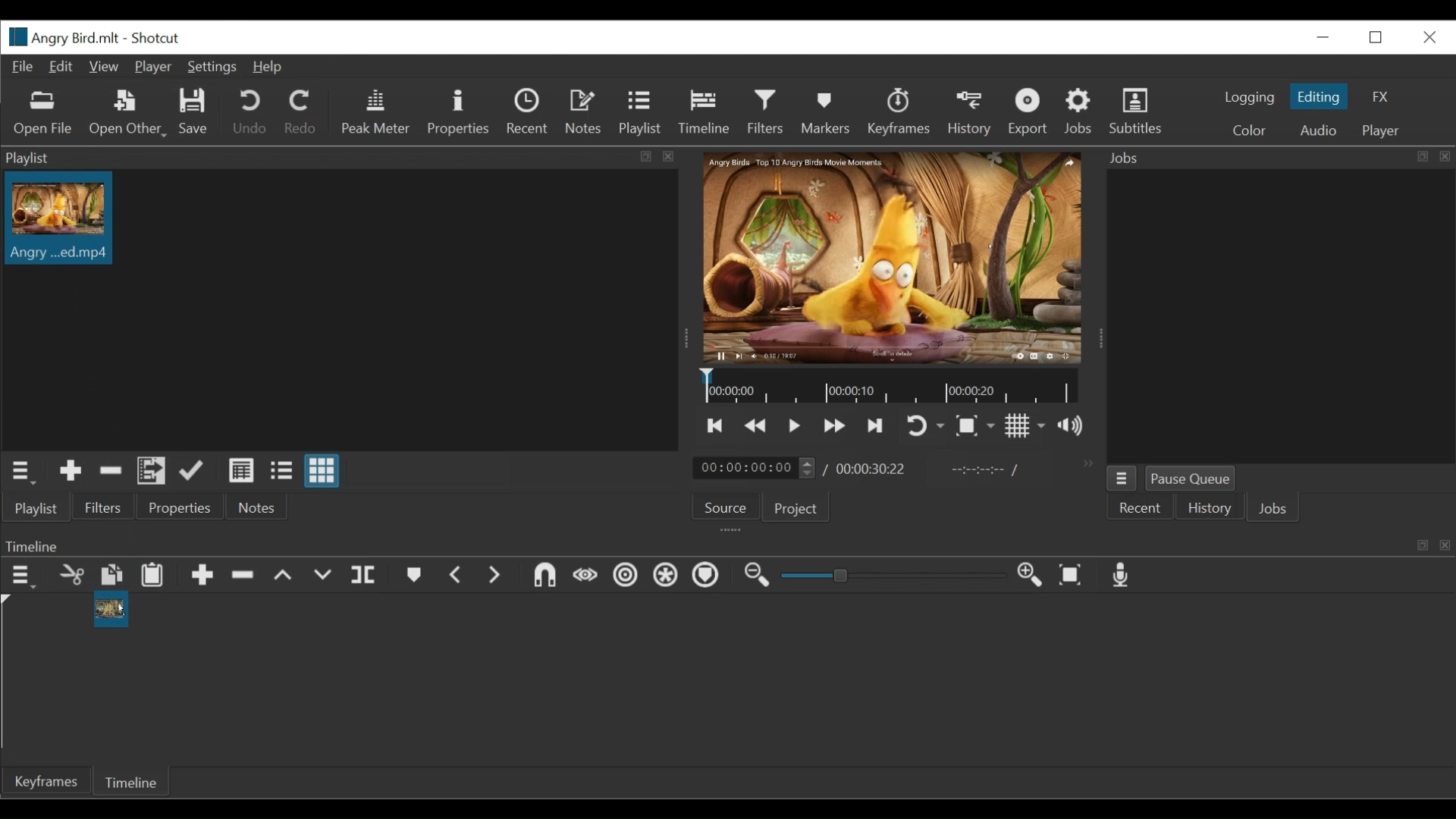 The width and height of the screenshot is (1456, 819). What do you see at coordinates (729, 506) in the screenshot?
I see `Source` at bounding box center [729, 506].